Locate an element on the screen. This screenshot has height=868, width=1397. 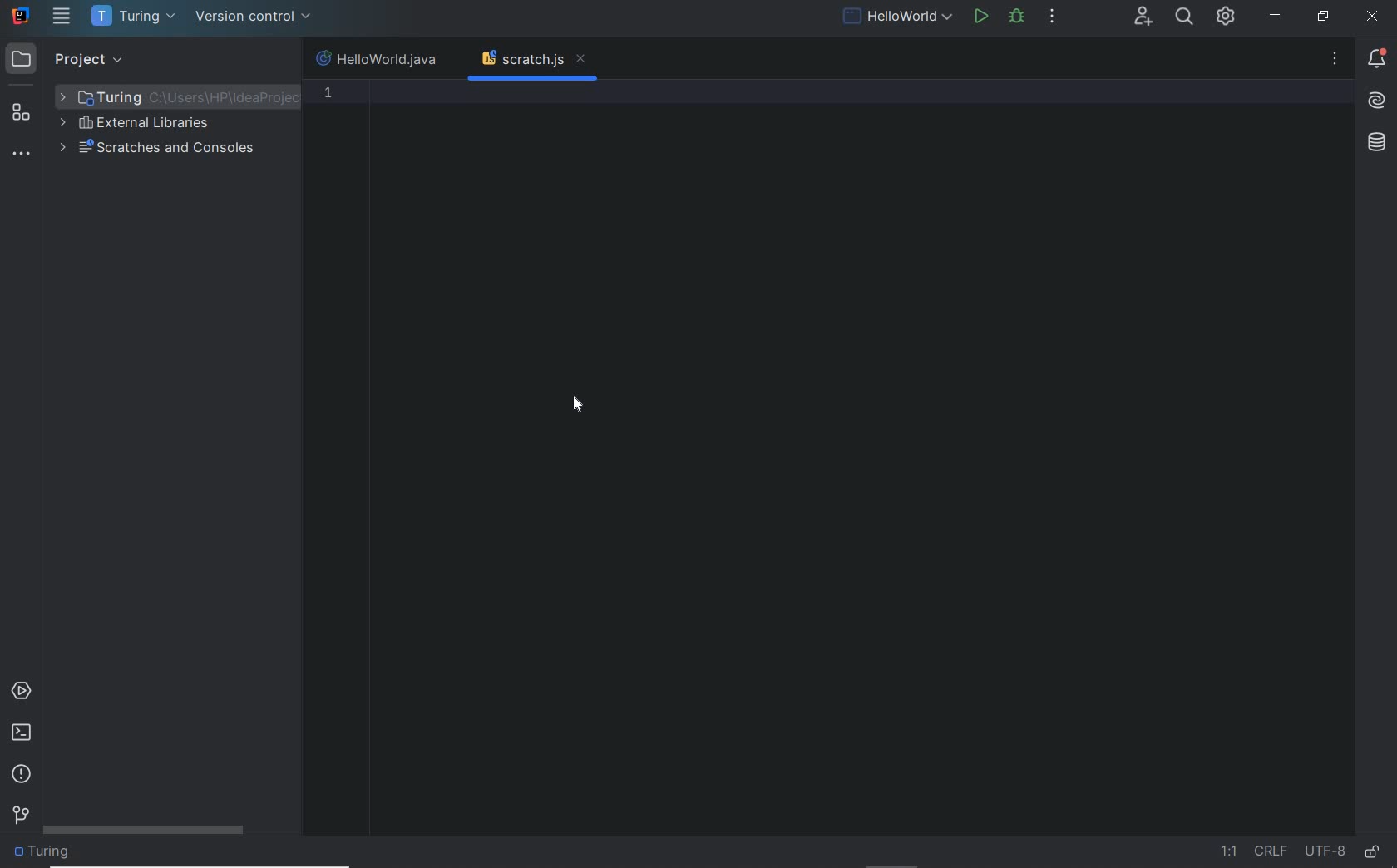
problems is located at coordinates (21, 775).